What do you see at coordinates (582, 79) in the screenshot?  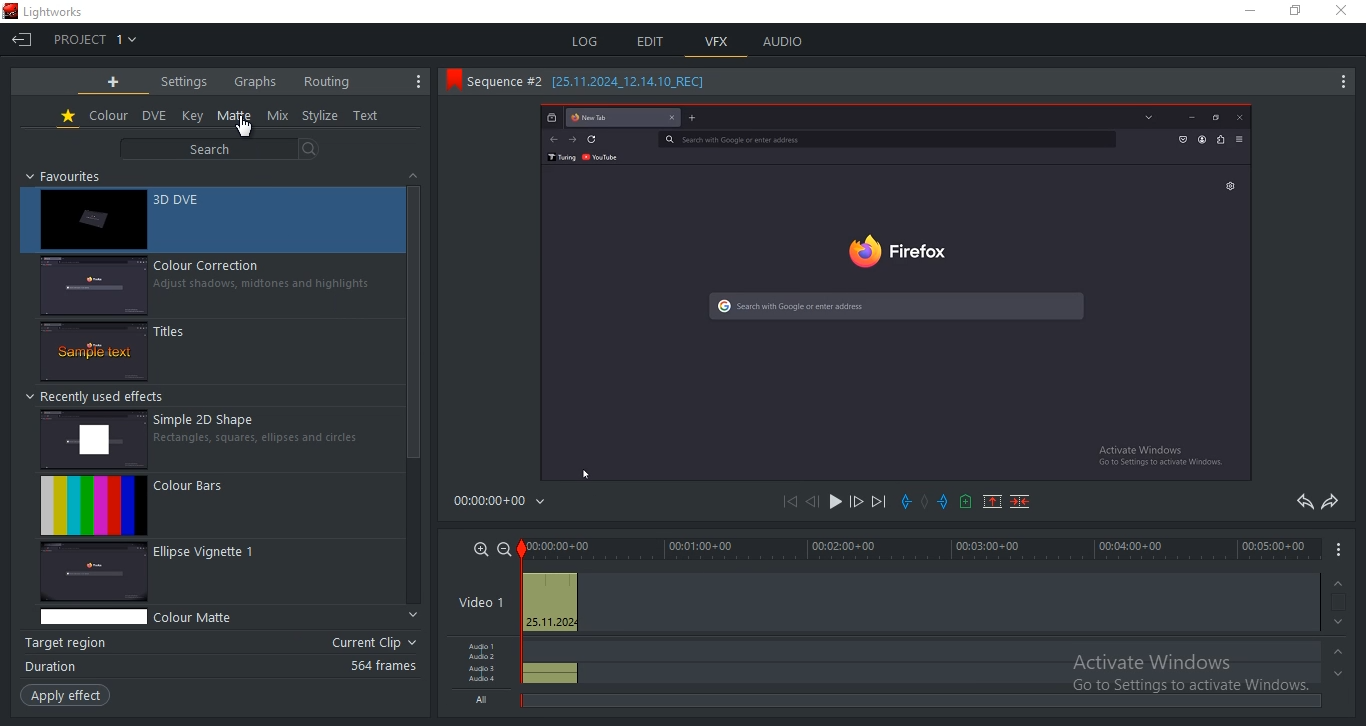 I see `sequence title` at bounding box center [582, 79].